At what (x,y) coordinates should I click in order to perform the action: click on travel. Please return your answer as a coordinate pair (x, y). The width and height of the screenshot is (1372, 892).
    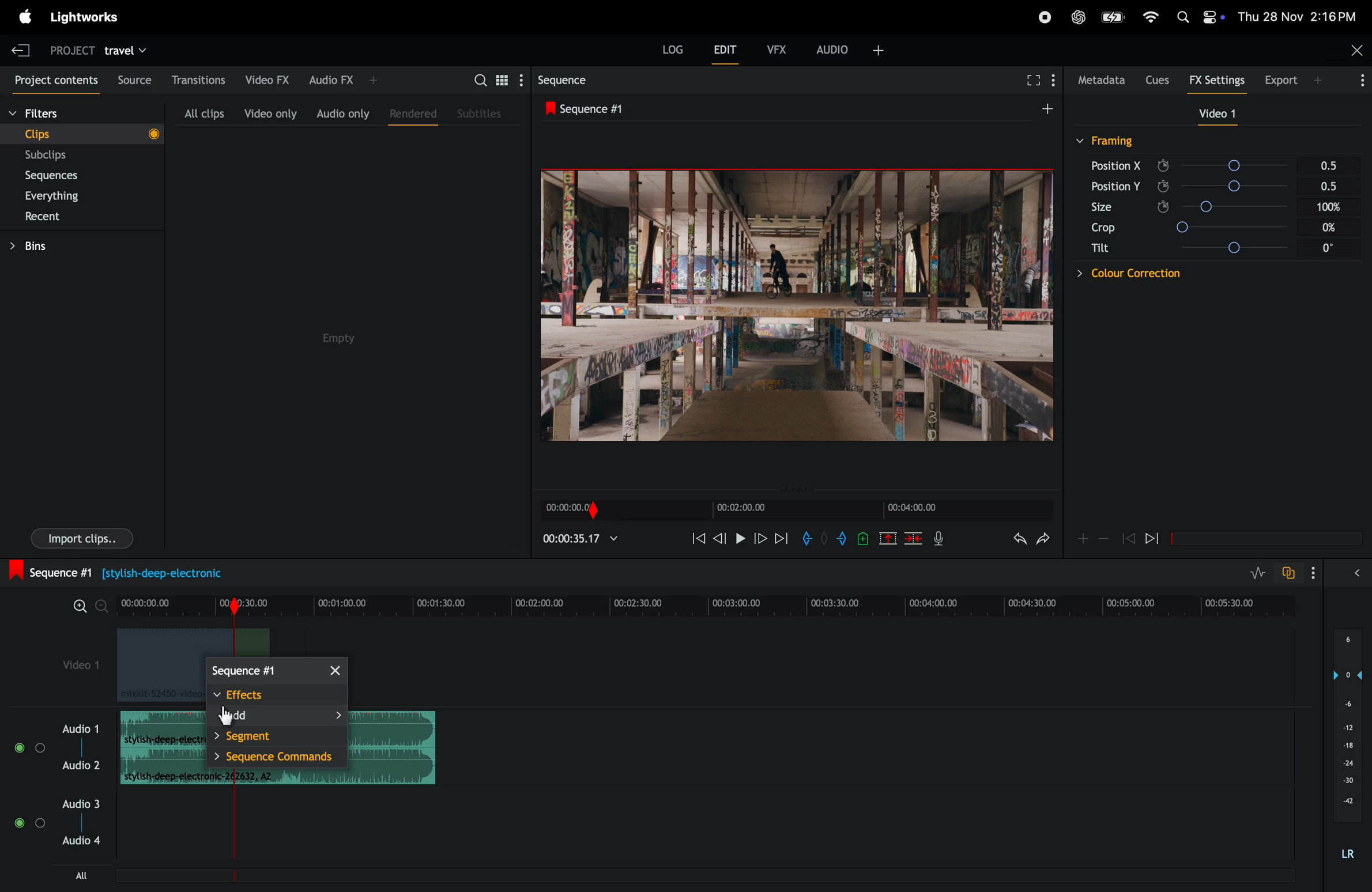
    Looking at the image, I should click on (126, 50).